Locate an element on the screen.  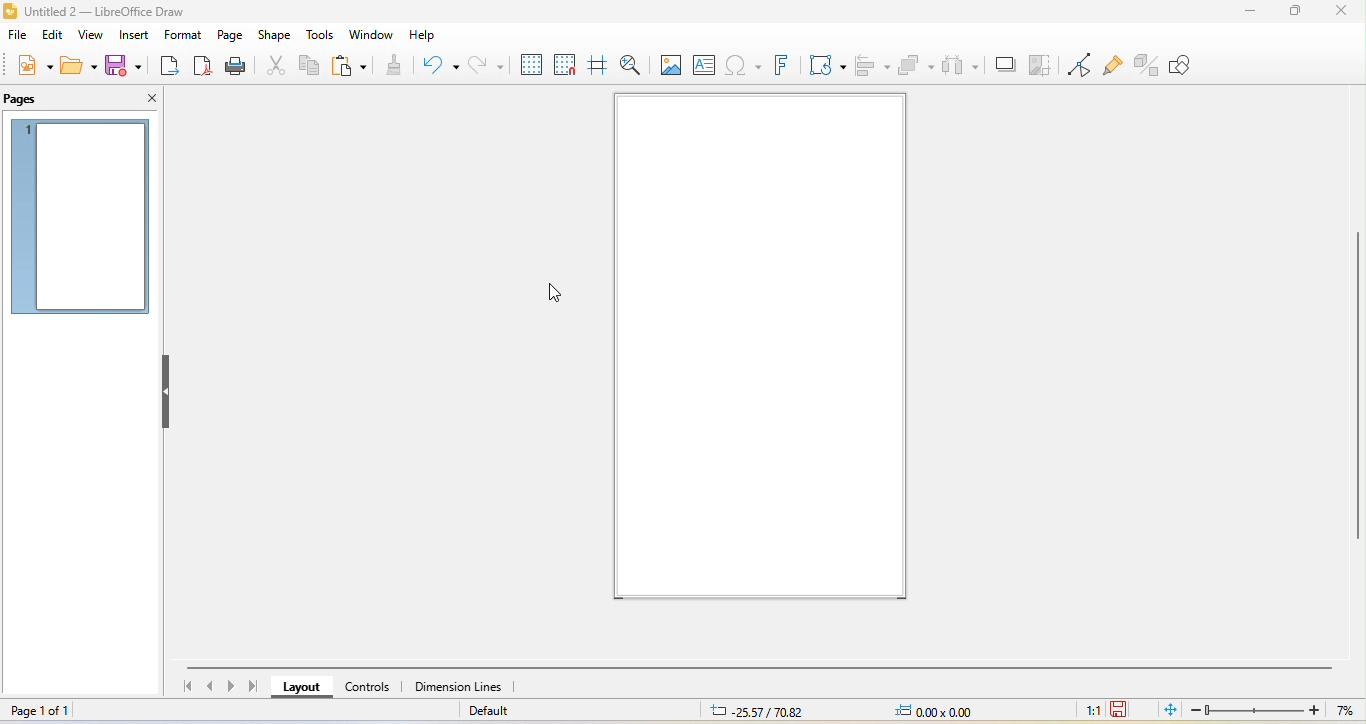
title is located at coordinates (122, 10).